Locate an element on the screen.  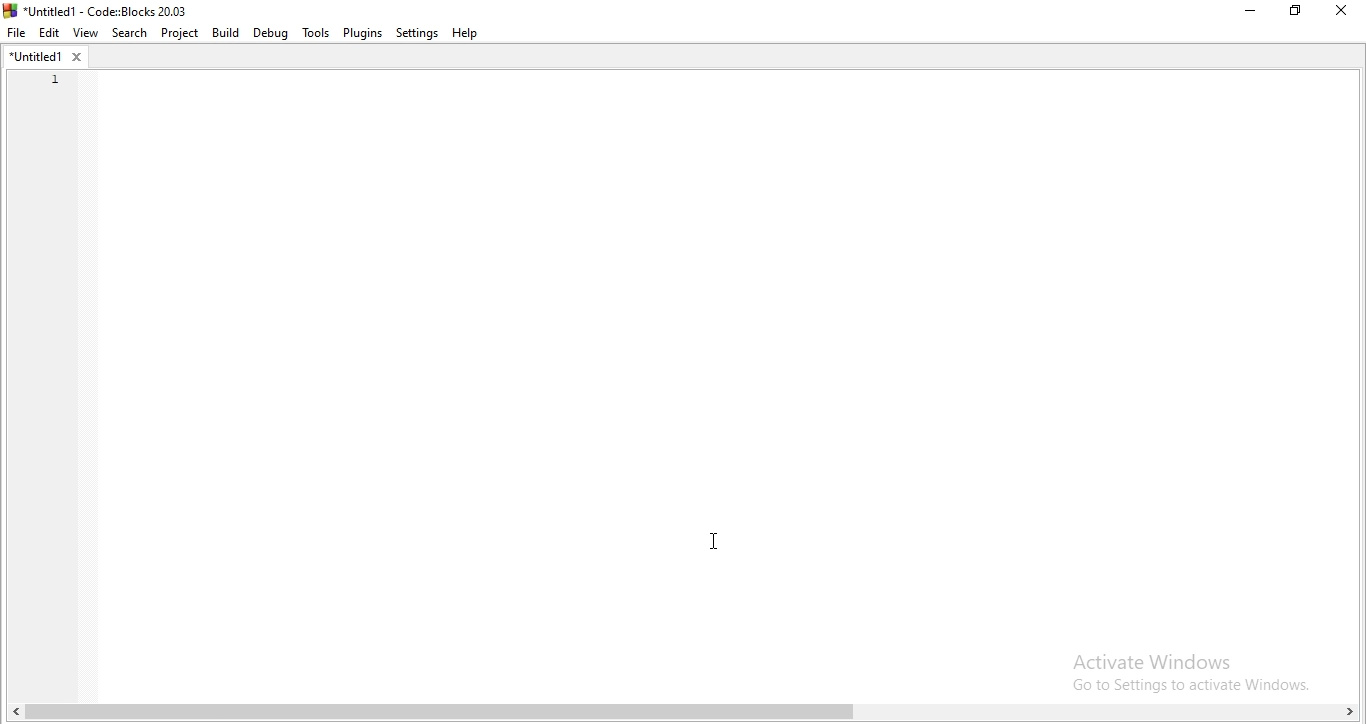
Close is located at coordinates (1337, 14).